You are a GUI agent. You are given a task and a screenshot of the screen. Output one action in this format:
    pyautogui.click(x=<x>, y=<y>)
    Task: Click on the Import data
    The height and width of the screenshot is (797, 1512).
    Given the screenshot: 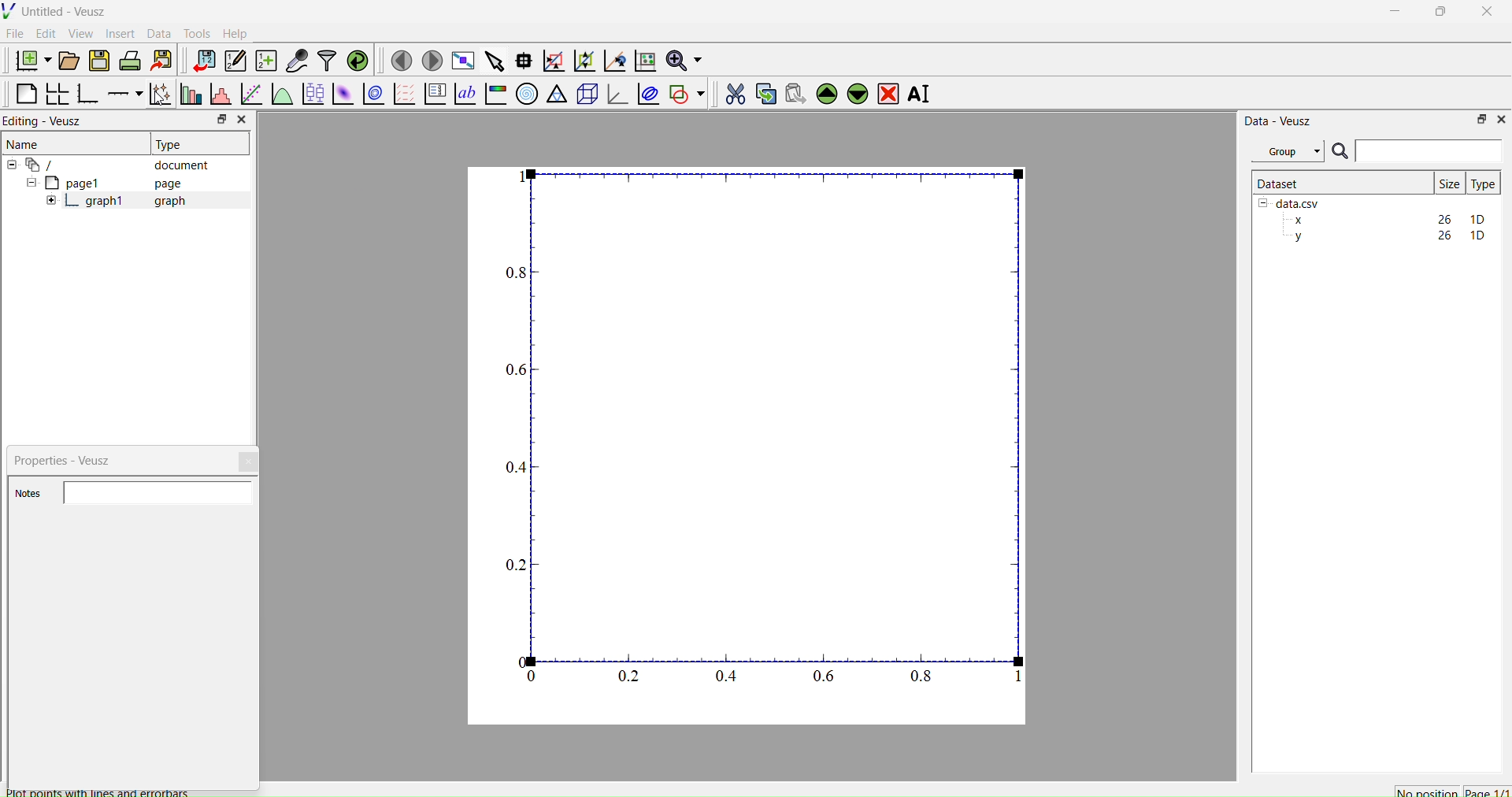 What is the action you would take?
    pyautogui.click(x=200, y=61)
    